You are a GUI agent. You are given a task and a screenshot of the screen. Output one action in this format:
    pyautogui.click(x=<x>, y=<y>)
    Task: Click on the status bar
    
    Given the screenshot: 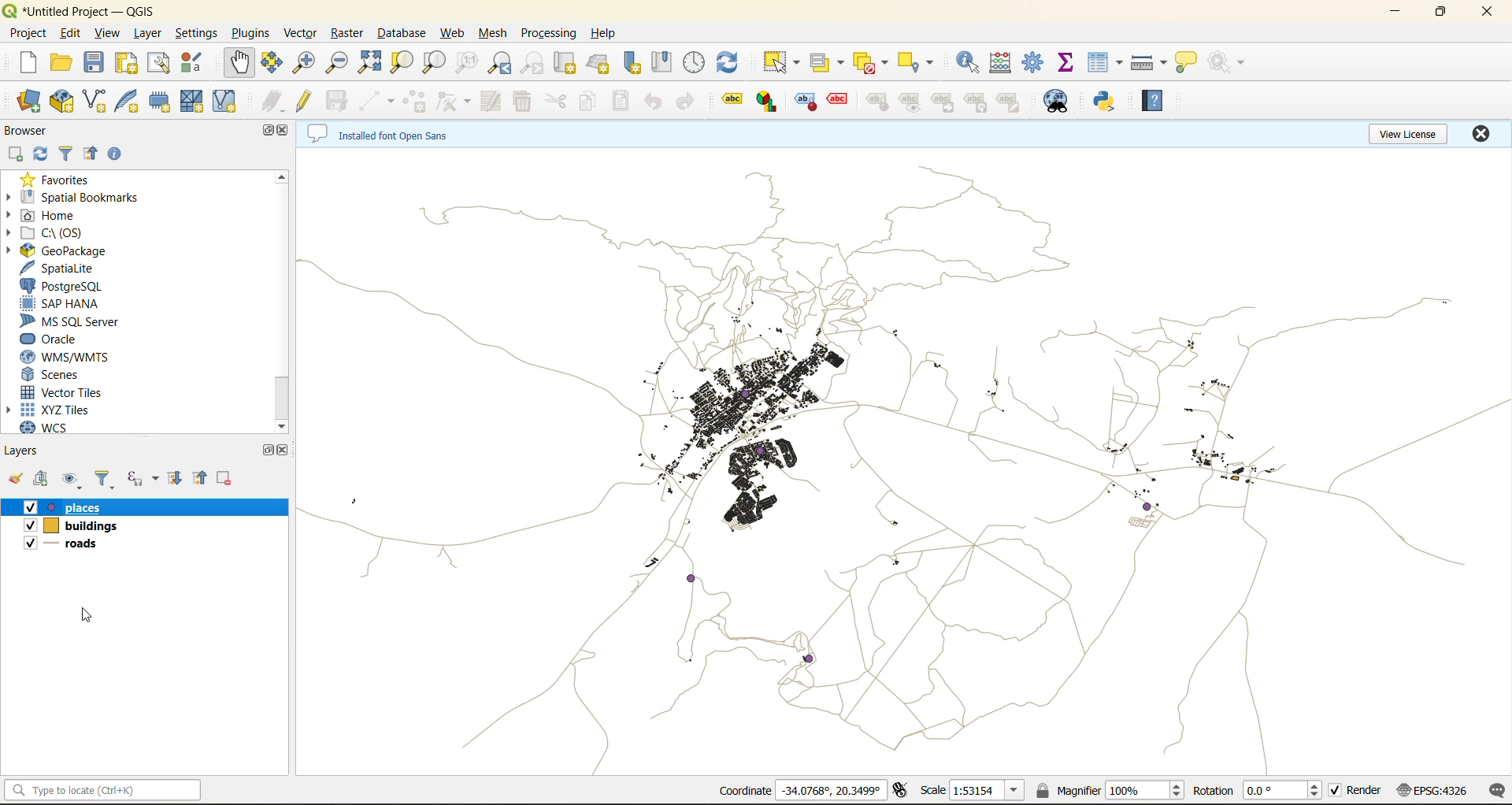 What is the action you would take?
    pyautogui.click(x=100, y=789)
    